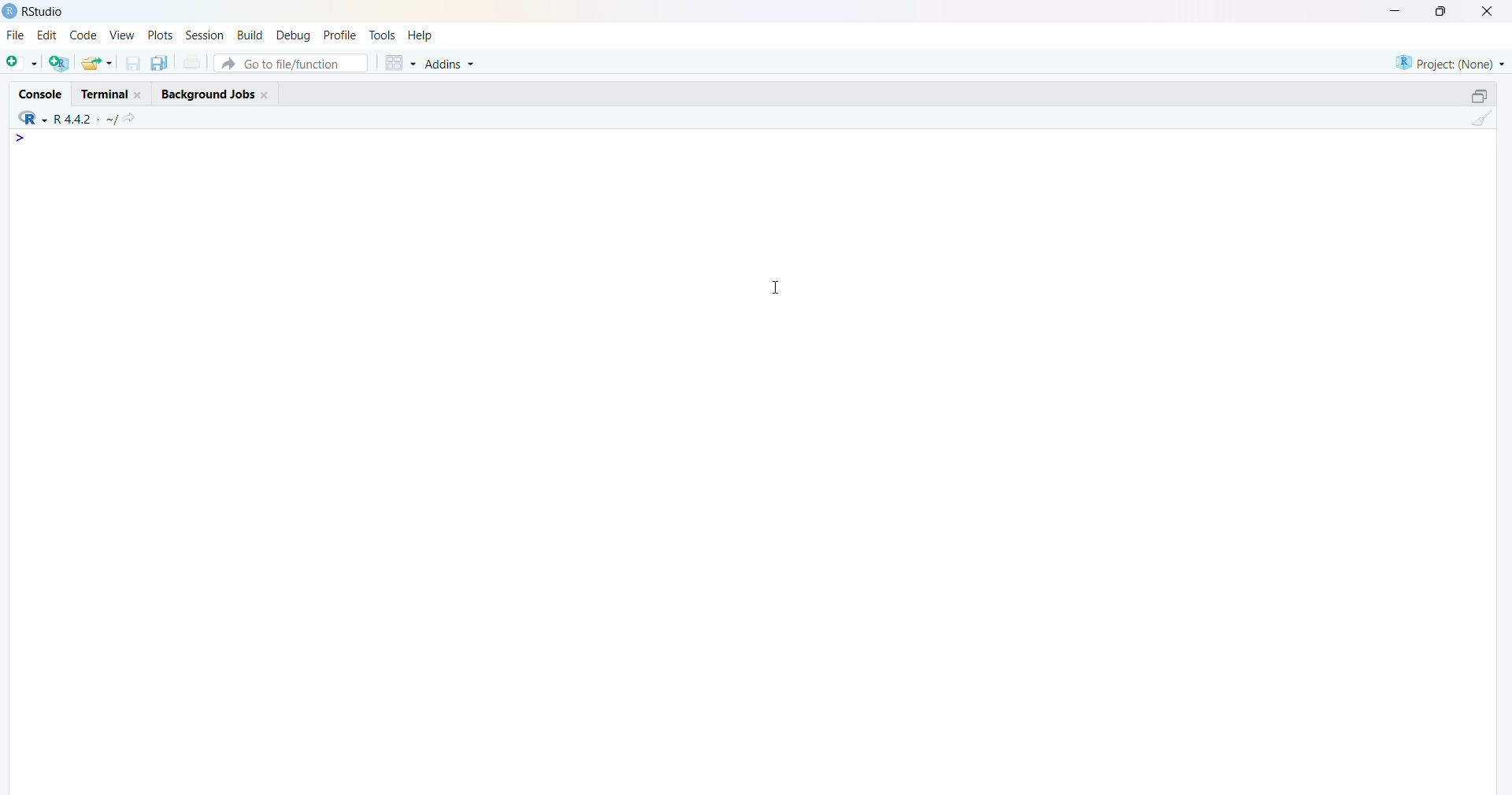  Describe the element at coordinates (47, 35) in the screenshot. I see `edit` at that location.